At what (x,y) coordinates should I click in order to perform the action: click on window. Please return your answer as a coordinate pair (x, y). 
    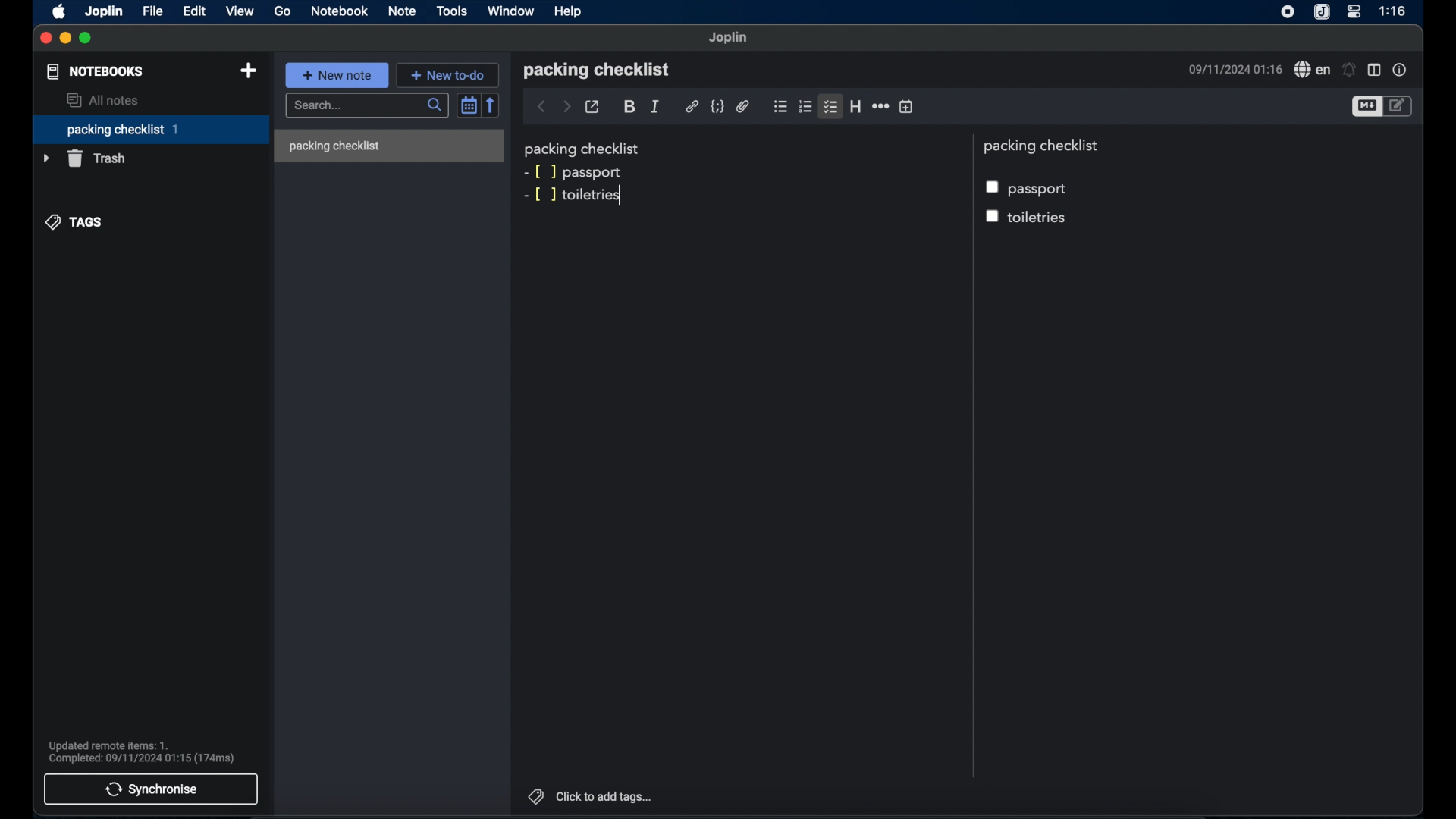
    Looking at the image, I should click on (510, 11).